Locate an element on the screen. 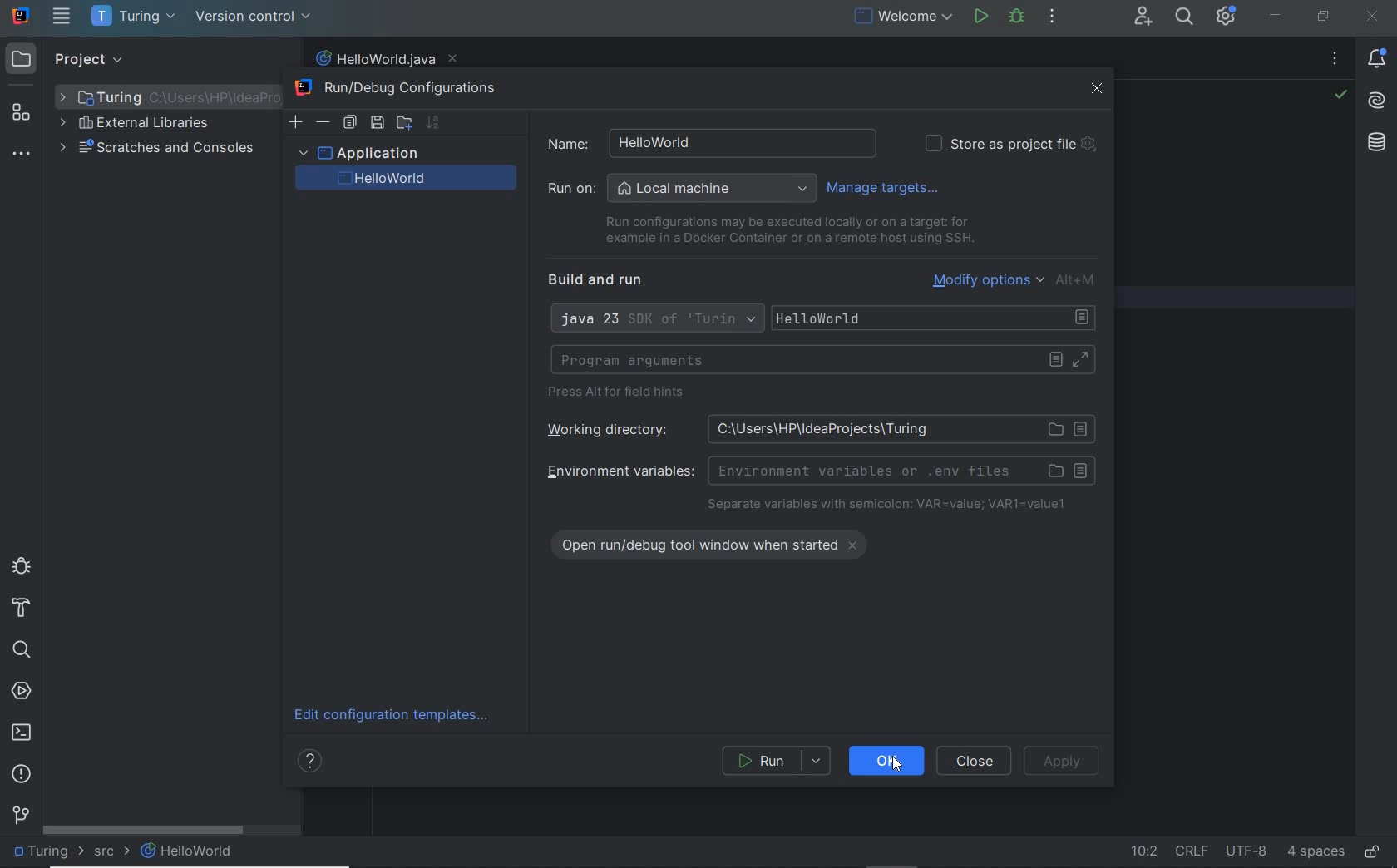 Image resolution: width=1397 pixels, height=868 pixels. project name is located at coordinates (136, 17).